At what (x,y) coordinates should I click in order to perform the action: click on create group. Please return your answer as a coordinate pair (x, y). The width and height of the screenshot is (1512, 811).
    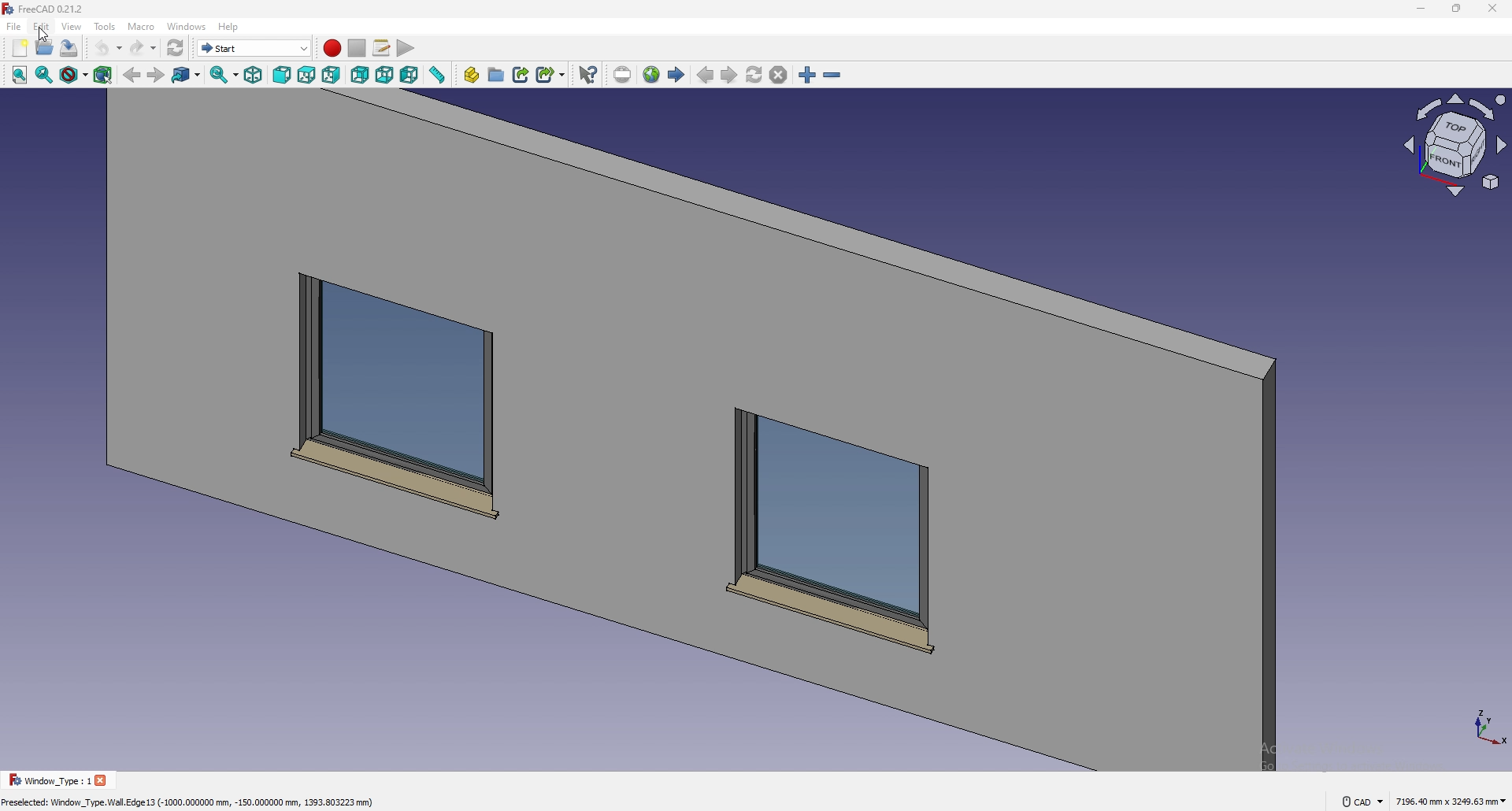
    Looking at the image, I should click on (498, 74).